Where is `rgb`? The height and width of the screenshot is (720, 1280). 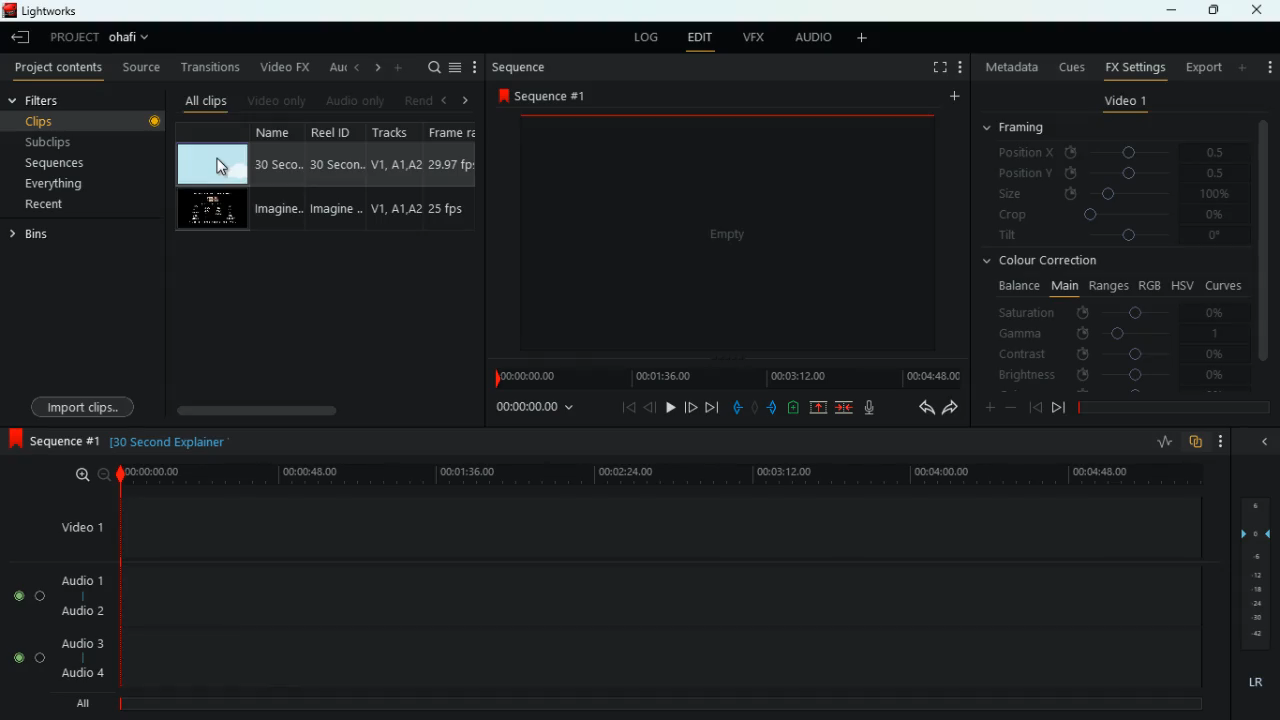 rgb is located at coordinates (1150, 285).